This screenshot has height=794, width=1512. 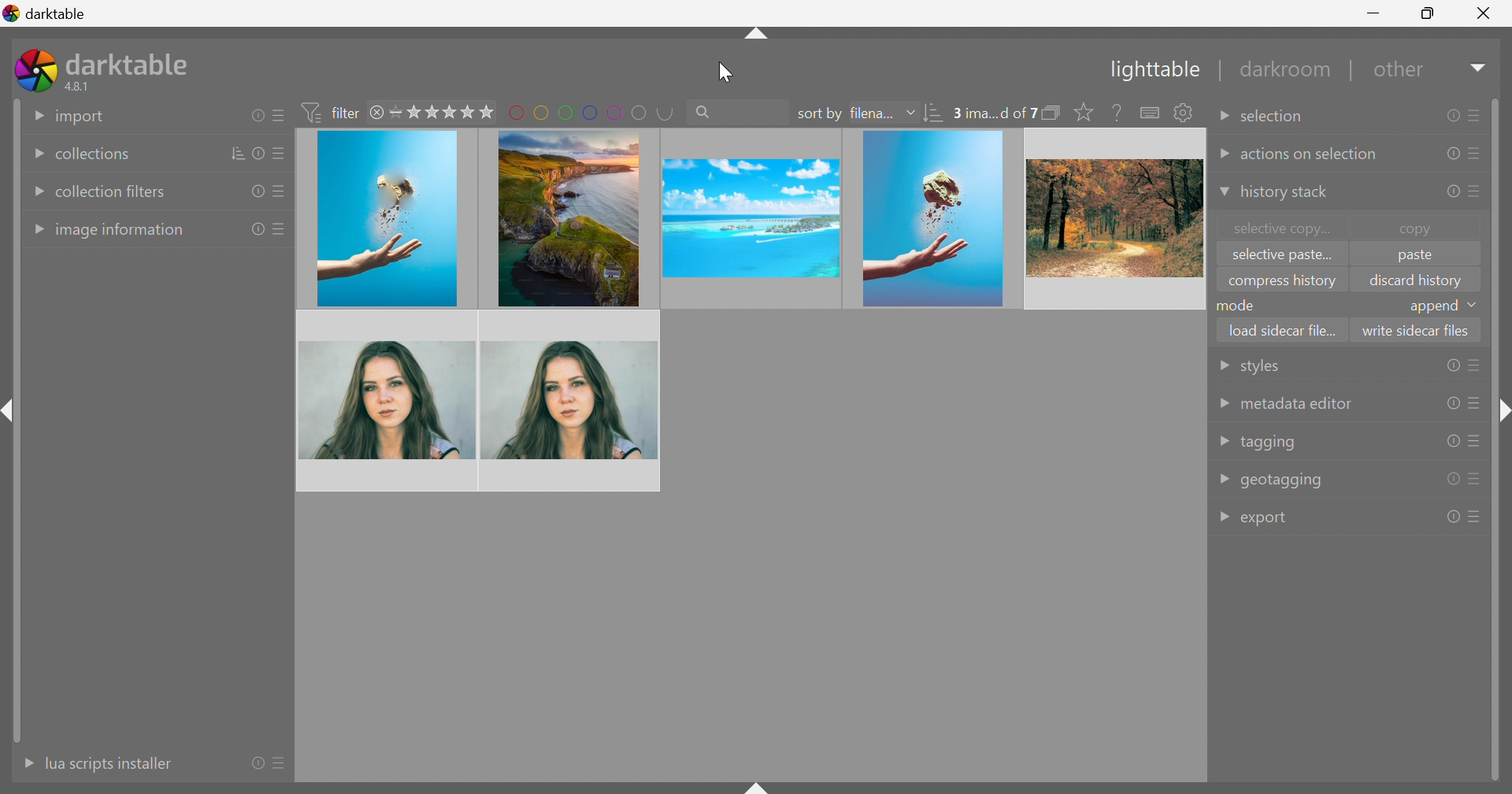 What do you see at coordinates (1221, 193) in the screenshot?
I see `Drop Down` at bounding box center [1221, 193].